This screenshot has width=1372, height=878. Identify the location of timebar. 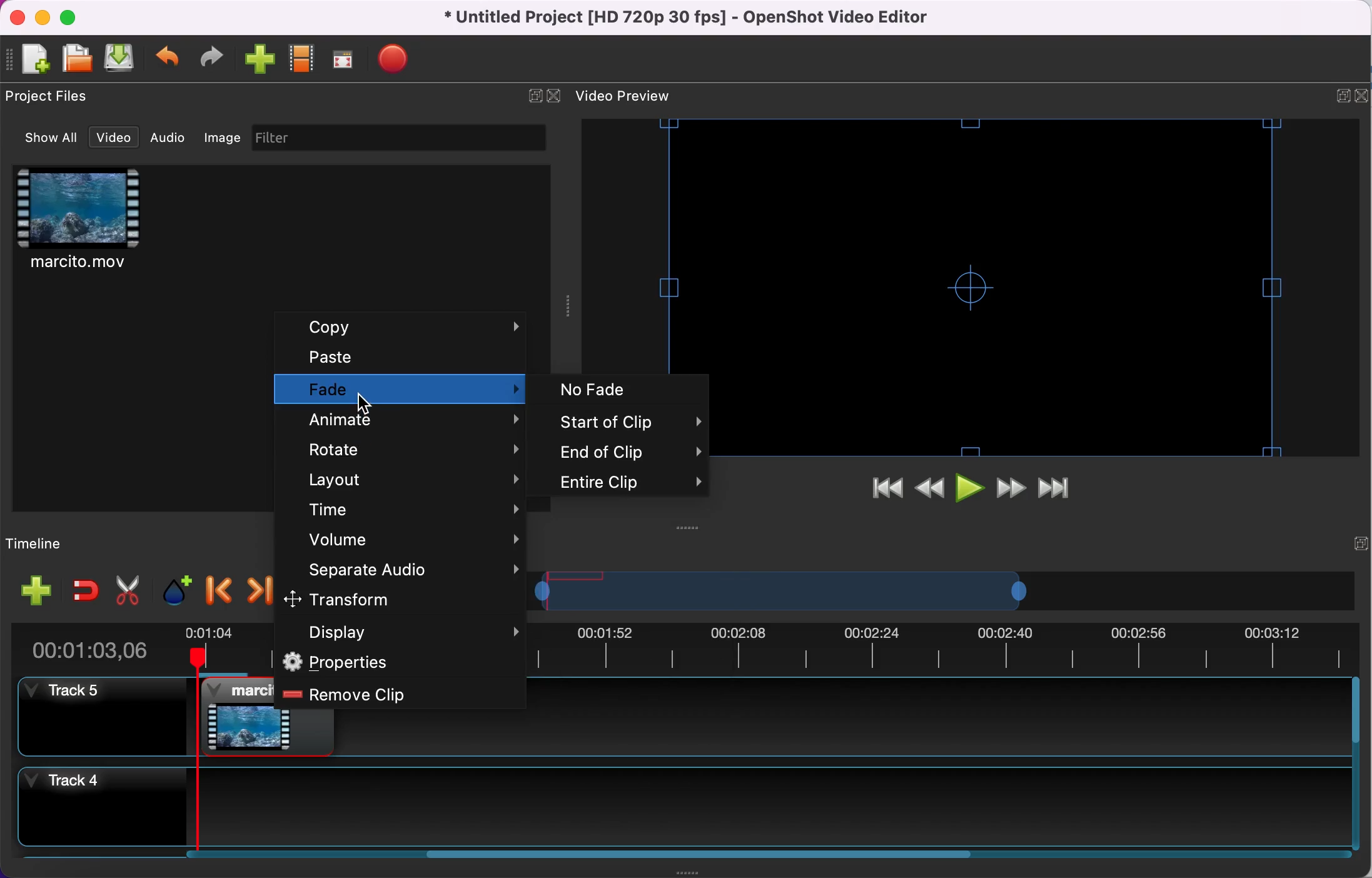
(231, 649).